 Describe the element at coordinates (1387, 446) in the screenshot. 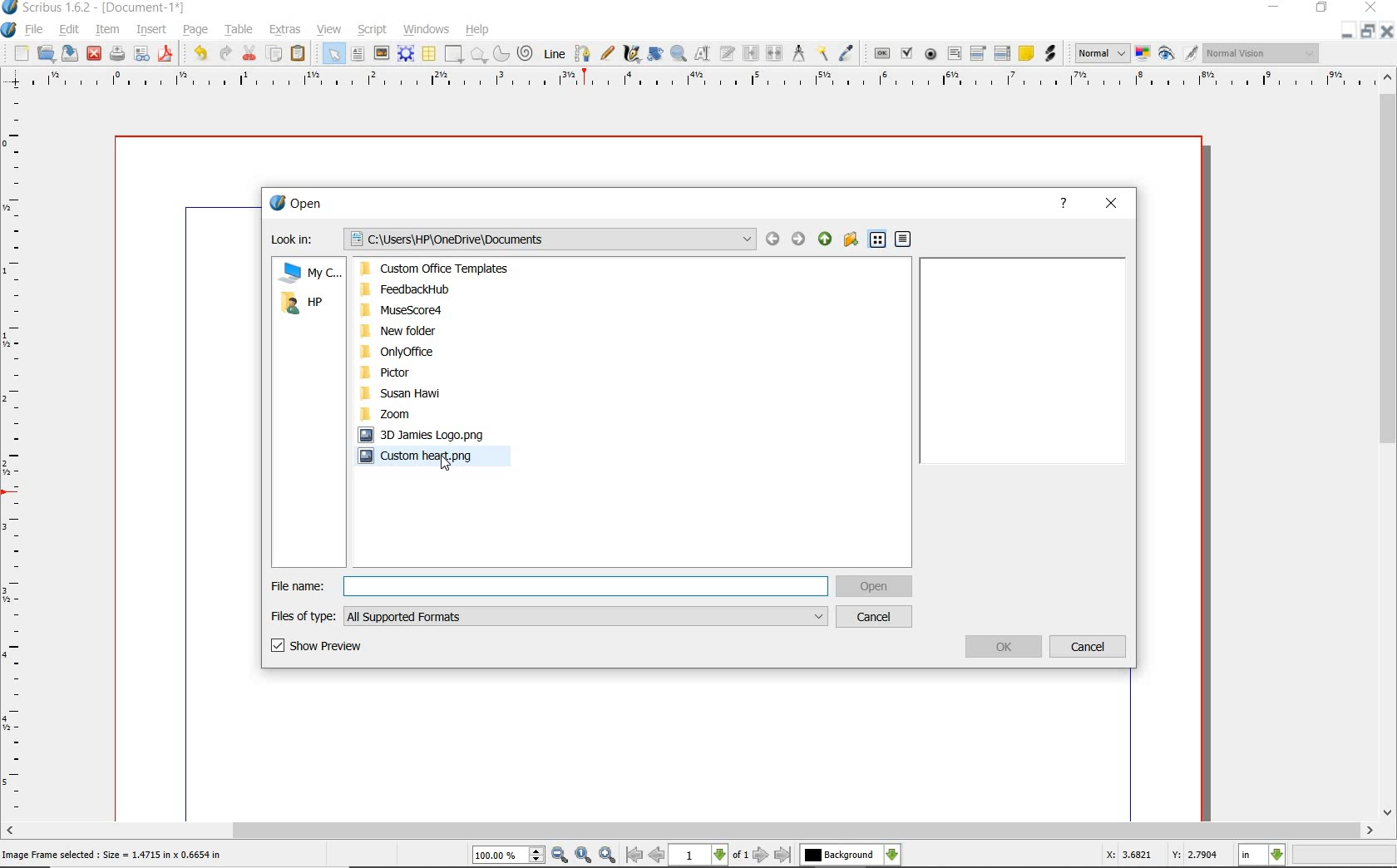

I see `scrollbar` at that location.